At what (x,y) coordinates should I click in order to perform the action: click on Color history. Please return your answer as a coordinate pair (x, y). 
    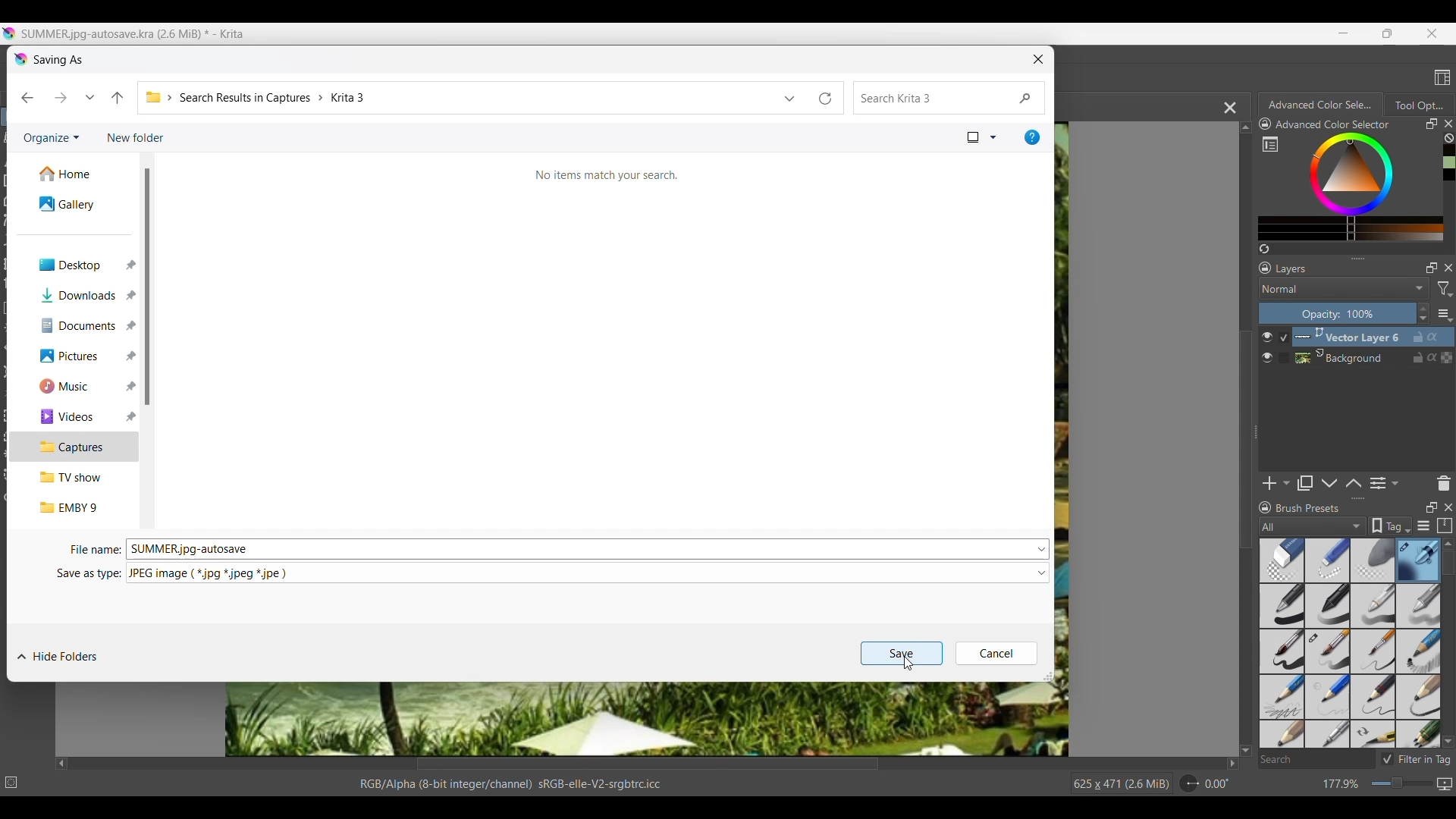
    Looking at the image, I should click on (1451, 163).